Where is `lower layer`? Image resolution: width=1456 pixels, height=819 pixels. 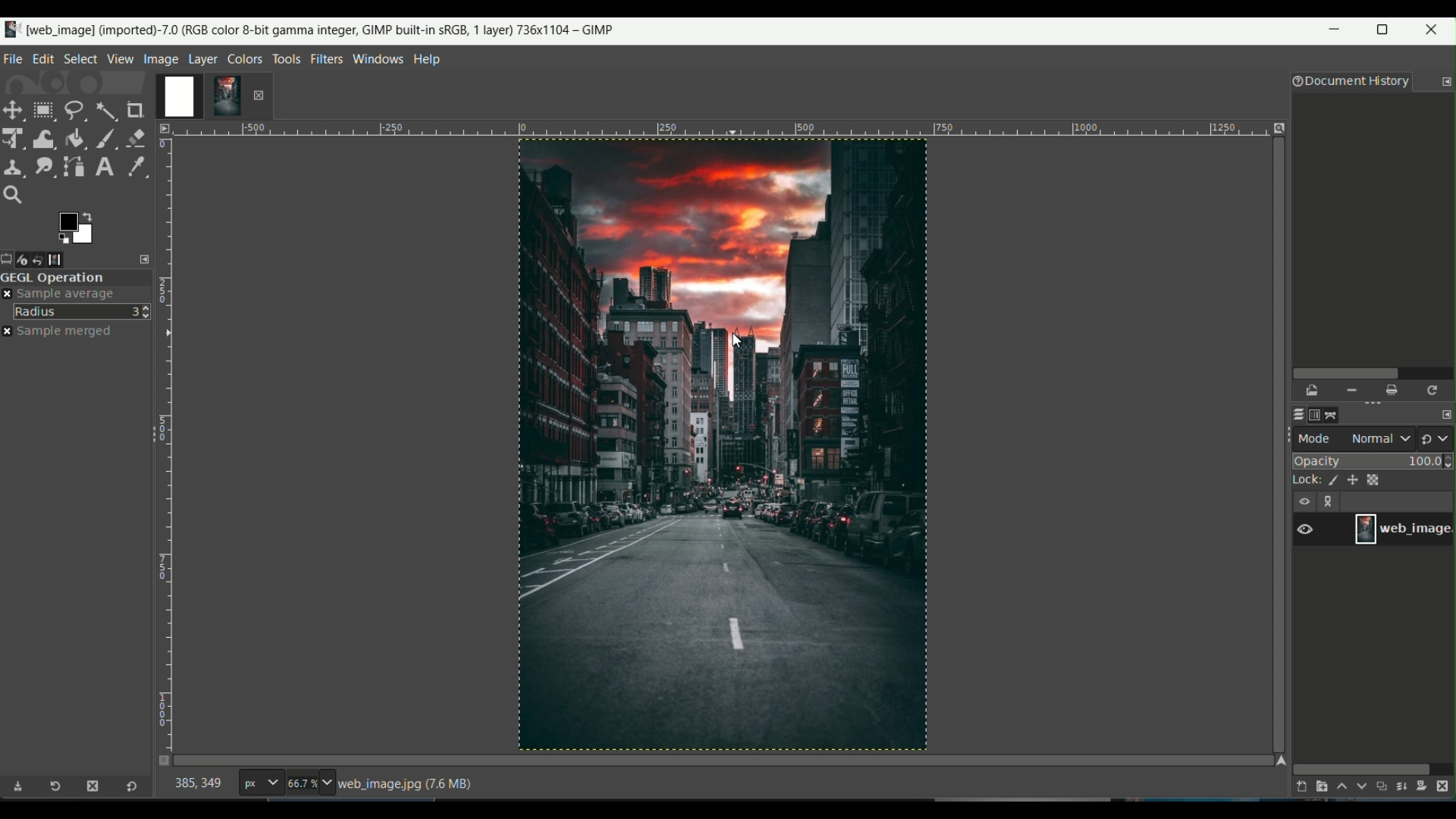 lower layer is located at coordinates (1362, 789).